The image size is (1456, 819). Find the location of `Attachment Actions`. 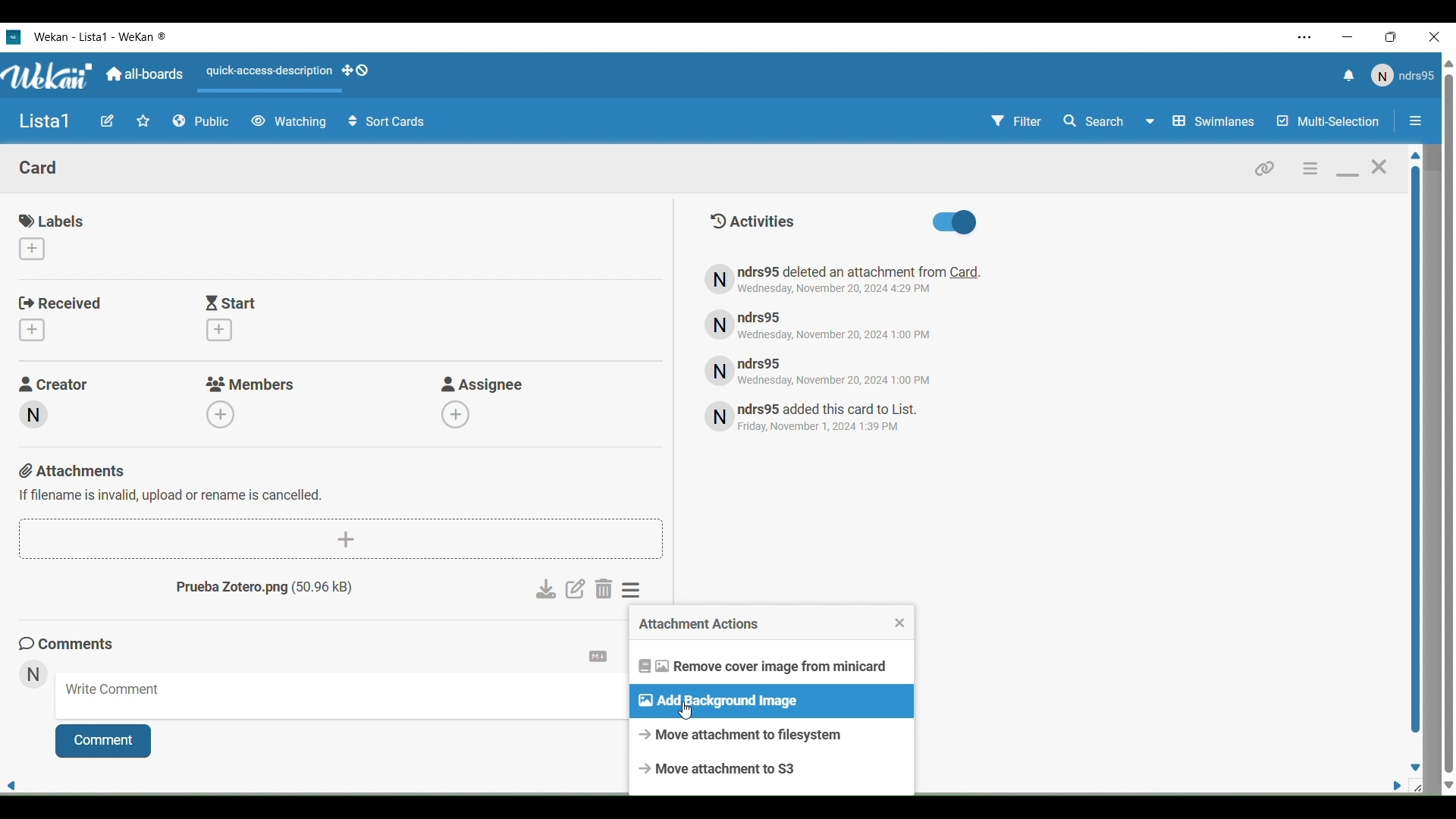

Attachment Actions is located at coordinates (762, 624).